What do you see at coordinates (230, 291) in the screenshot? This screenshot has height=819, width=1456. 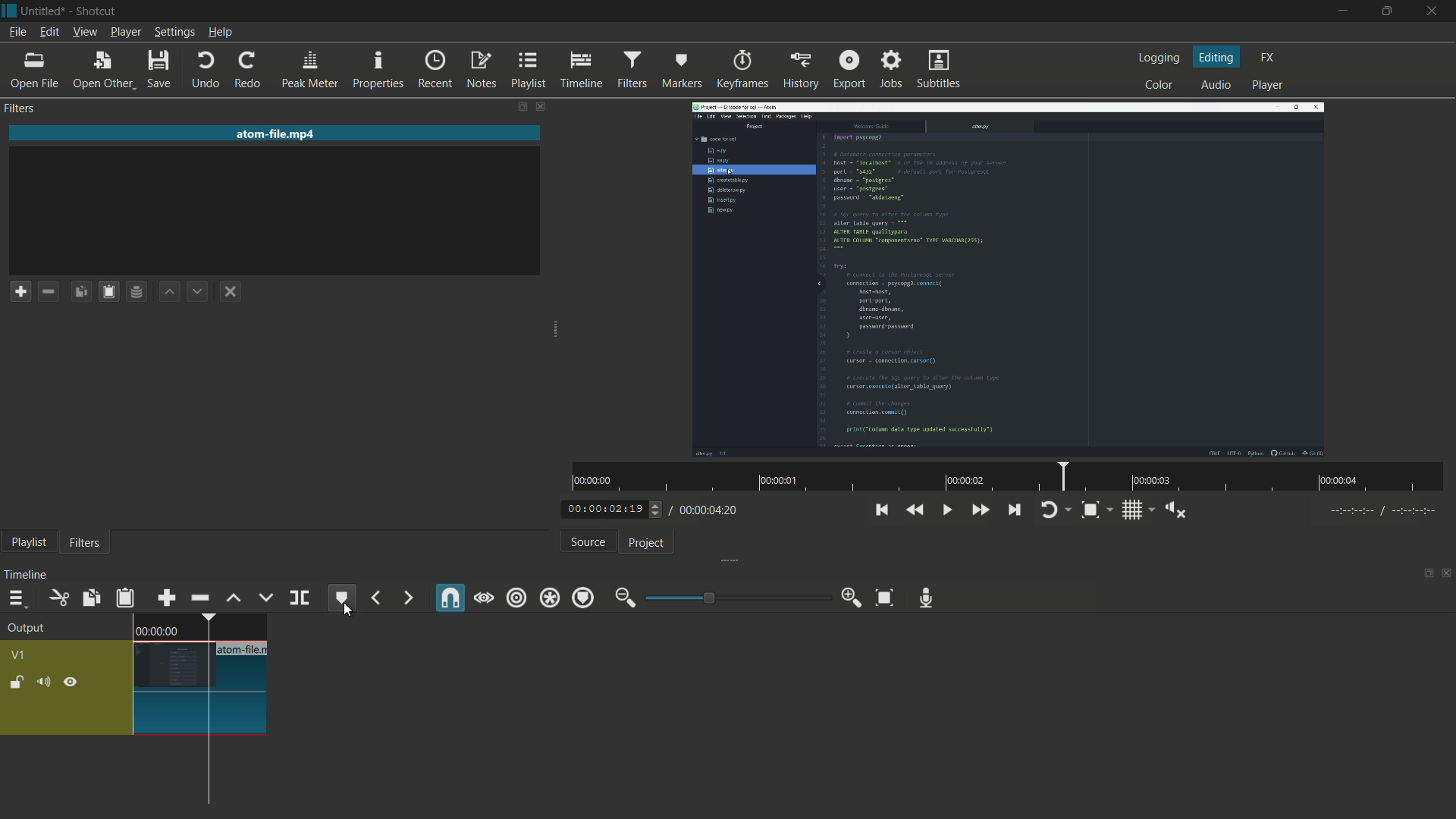 I see `deselect the filter` at bounding box center [230, 291].